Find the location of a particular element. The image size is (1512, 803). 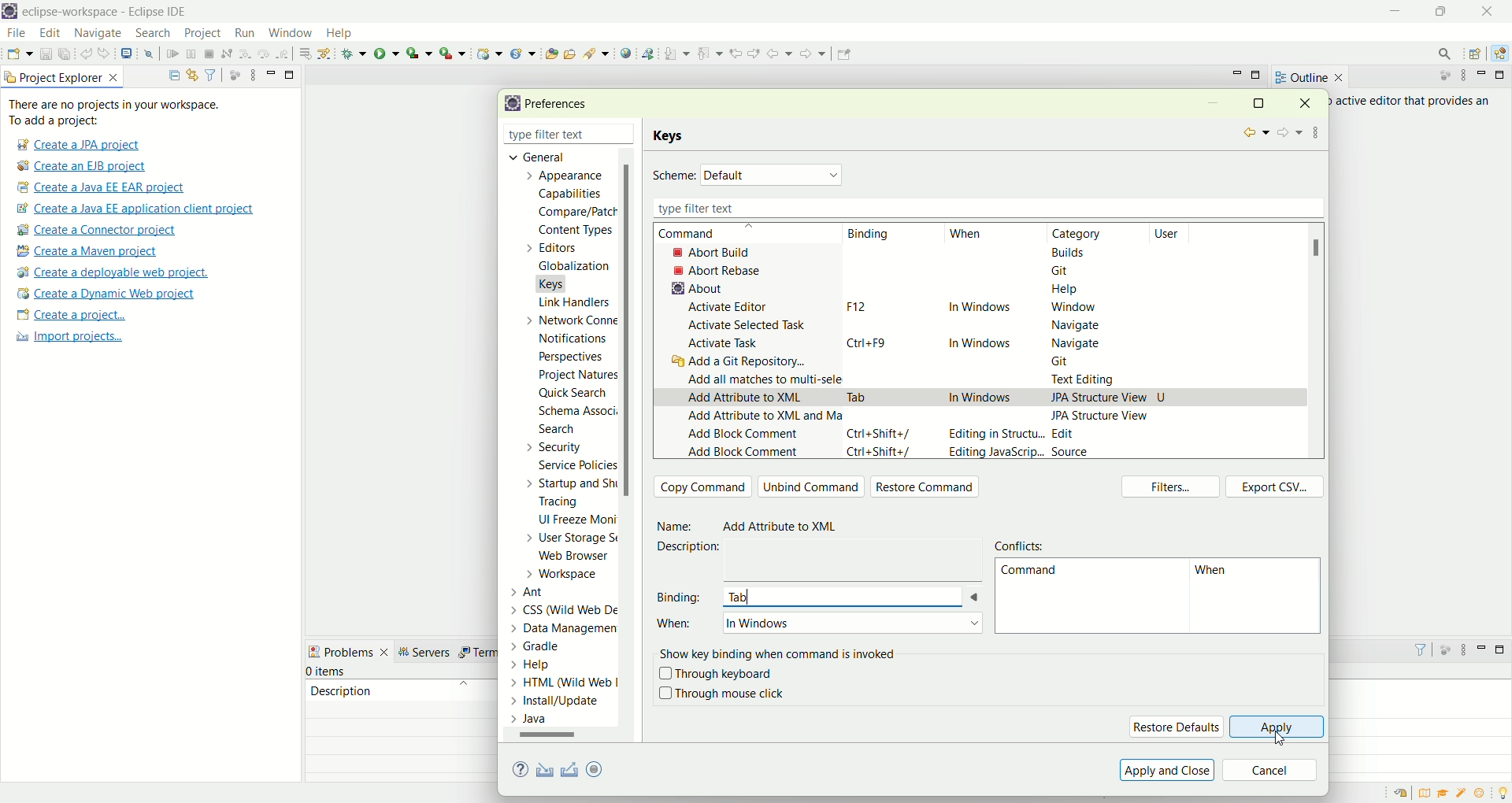

minimize is located at coordinates (1213, 105).